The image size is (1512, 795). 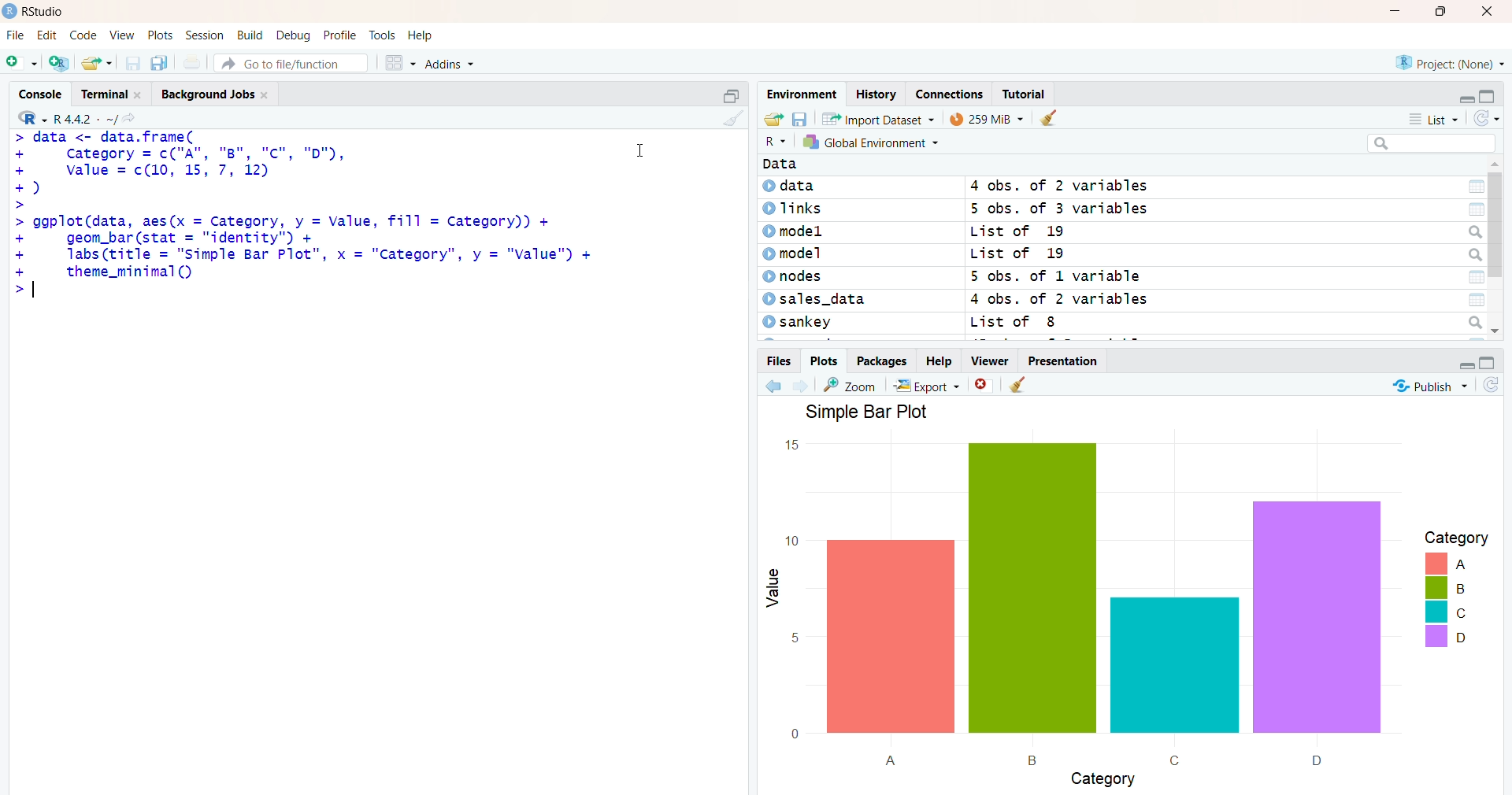 What do you see at coordinates (802, 94) in the screenshot?
I see `Environment` at bounding box center [802, 94].